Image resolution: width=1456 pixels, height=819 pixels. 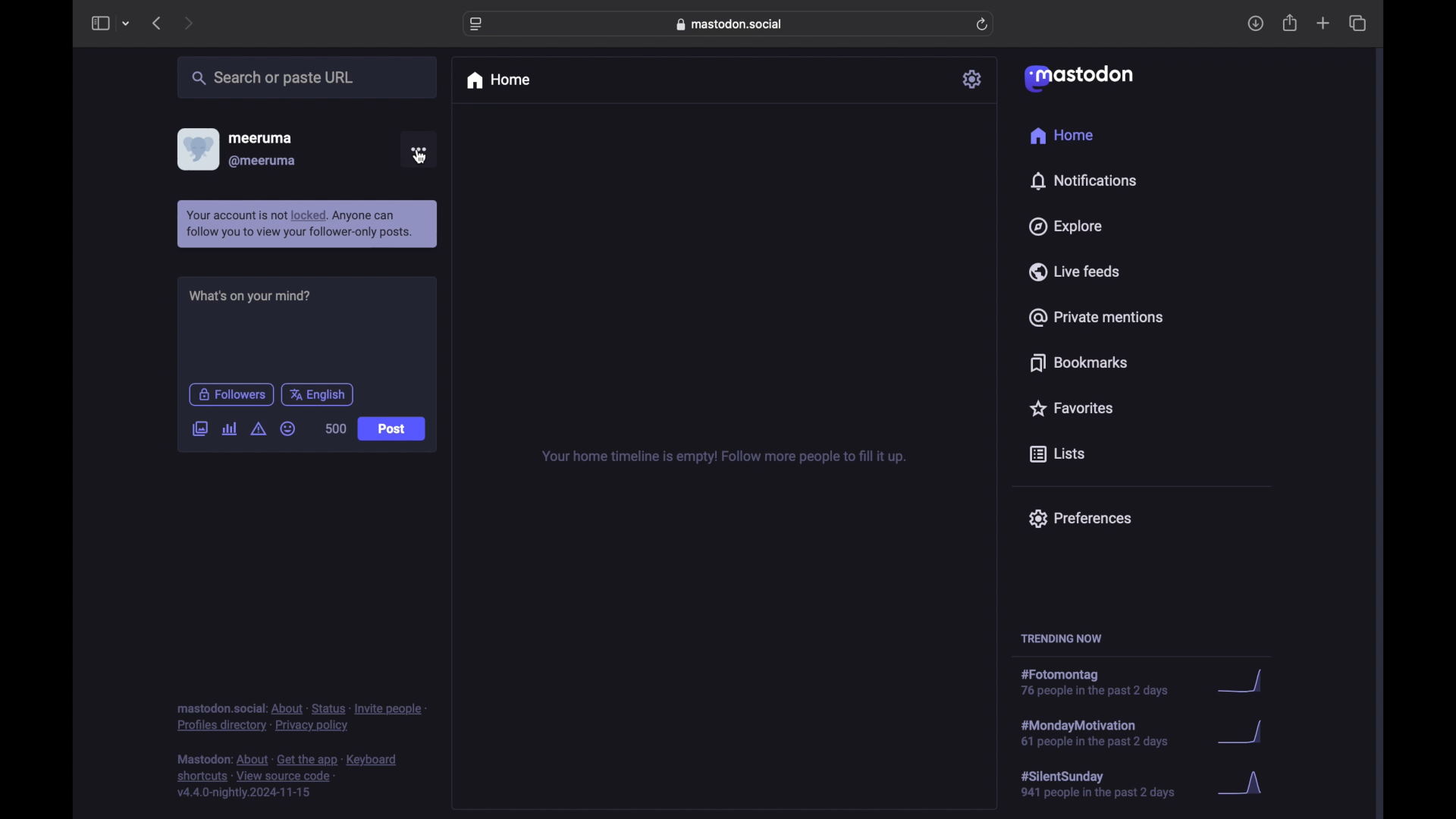 I want to click on search or paste url, so click(x=308, y=78).